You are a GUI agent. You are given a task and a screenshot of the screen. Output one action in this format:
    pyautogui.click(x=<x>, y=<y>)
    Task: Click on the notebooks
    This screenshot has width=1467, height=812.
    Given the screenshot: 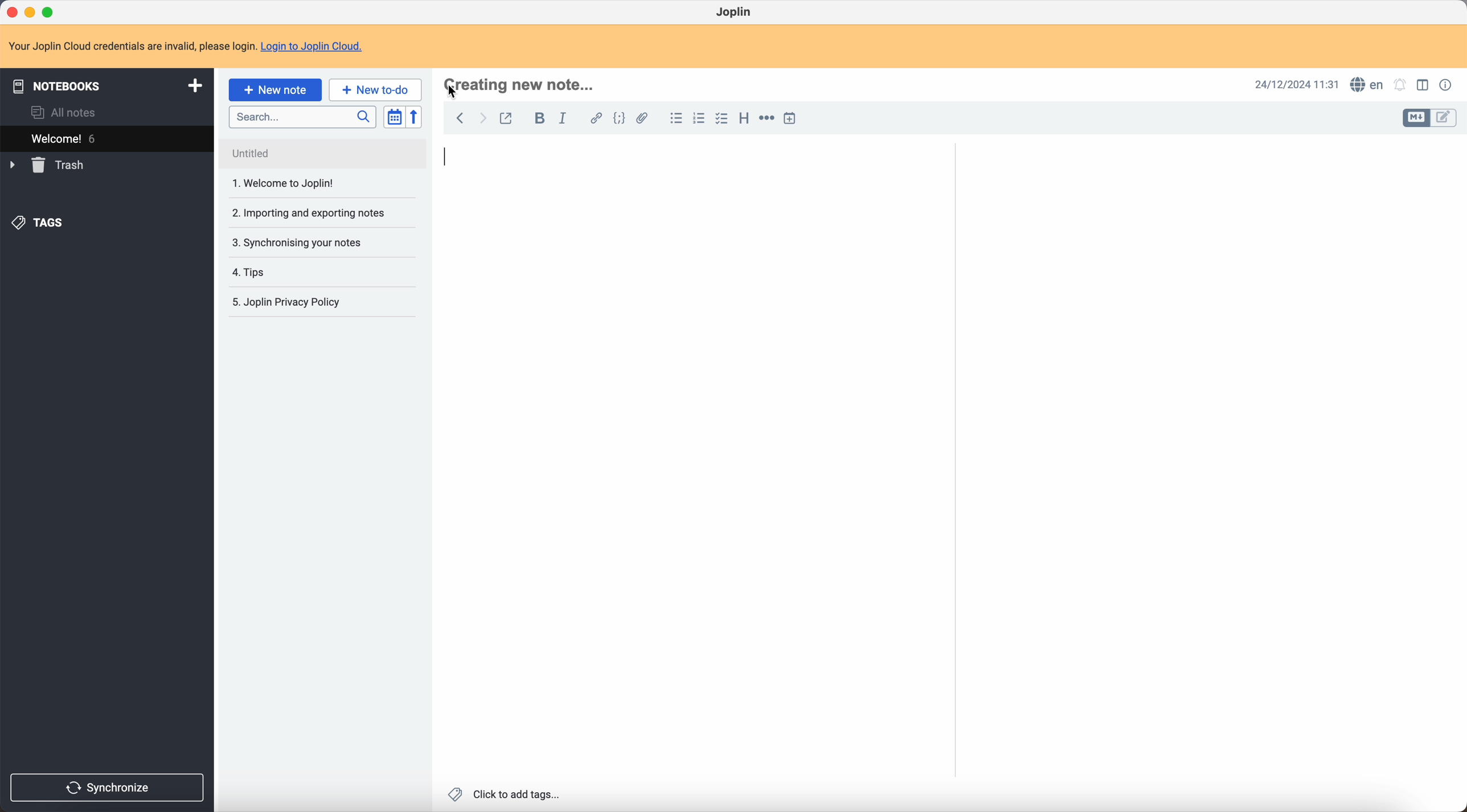 What is the action you would take?
    pyautogui.click(x=105, y=85)
    